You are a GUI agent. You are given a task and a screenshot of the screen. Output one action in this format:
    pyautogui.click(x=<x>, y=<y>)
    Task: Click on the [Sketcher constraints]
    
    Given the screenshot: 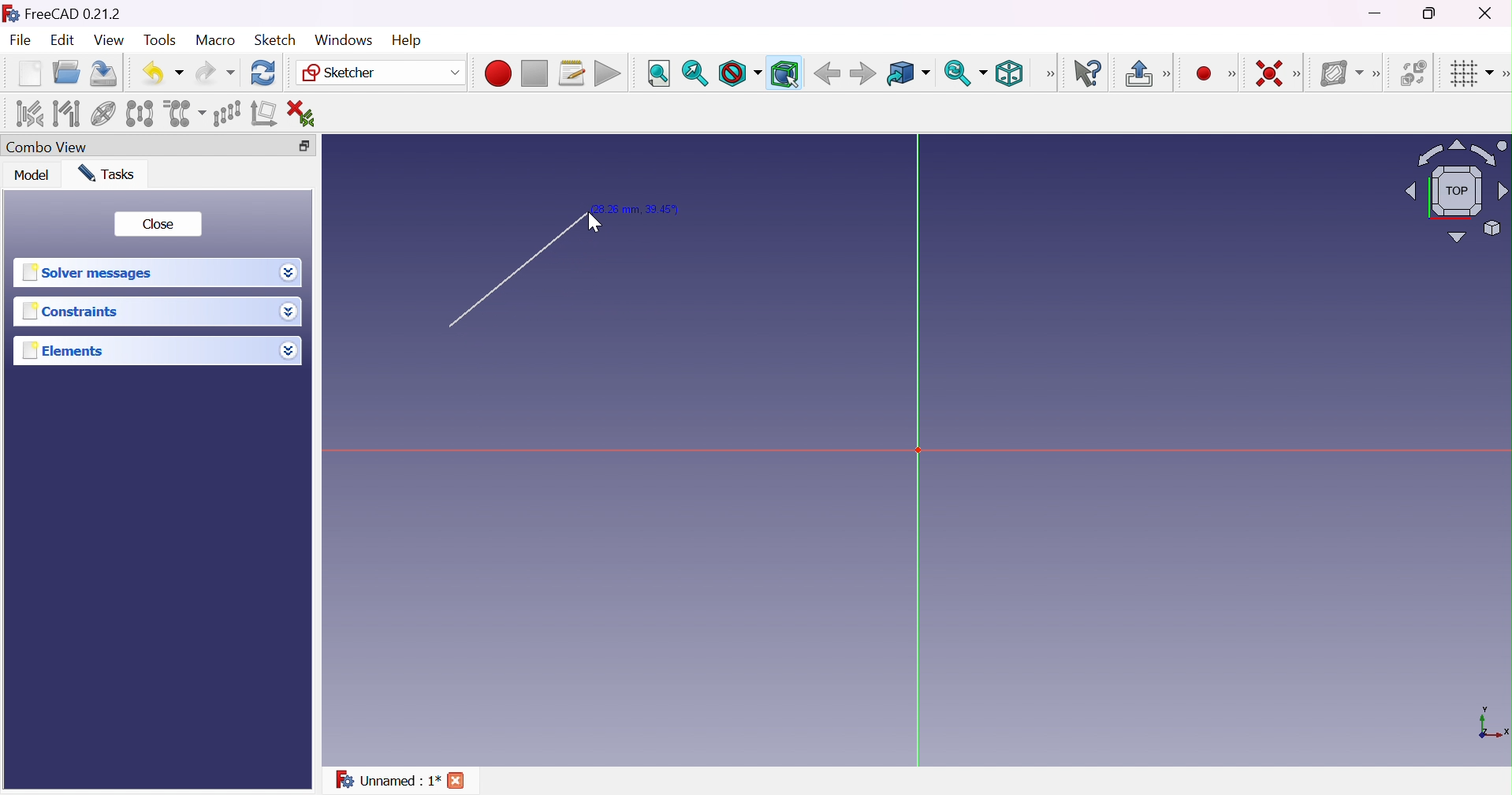 What is the action you would take?
    pyautogui.click(x=1300, y=74)
    